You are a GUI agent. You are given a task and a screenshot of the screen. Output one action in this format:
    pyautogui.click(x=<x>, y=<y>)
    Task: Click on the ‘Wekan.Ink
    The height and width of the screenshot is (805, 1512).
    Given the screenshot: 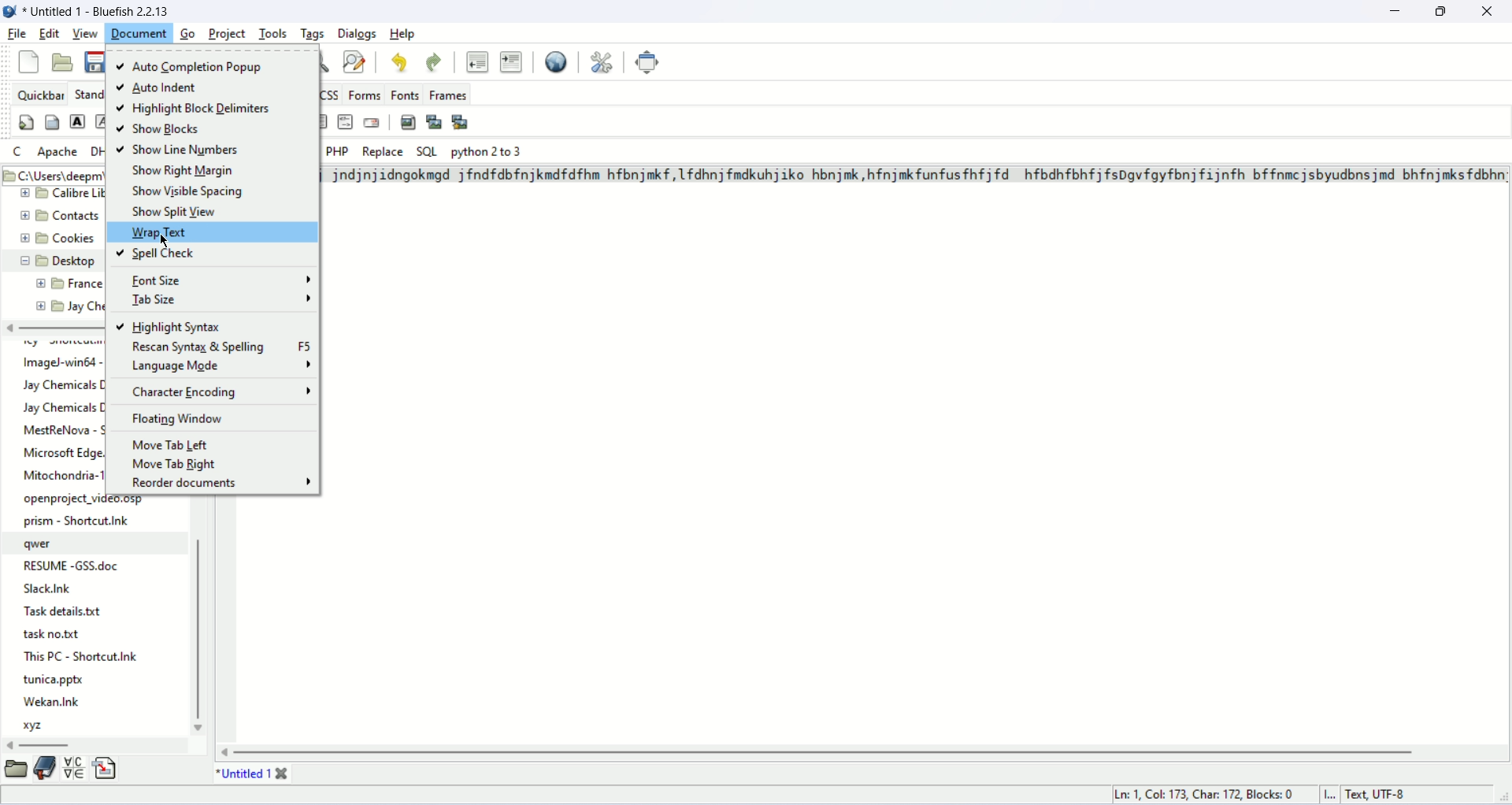 What is the action you would take?
    pyautogui.click(x=50, y=701)
    